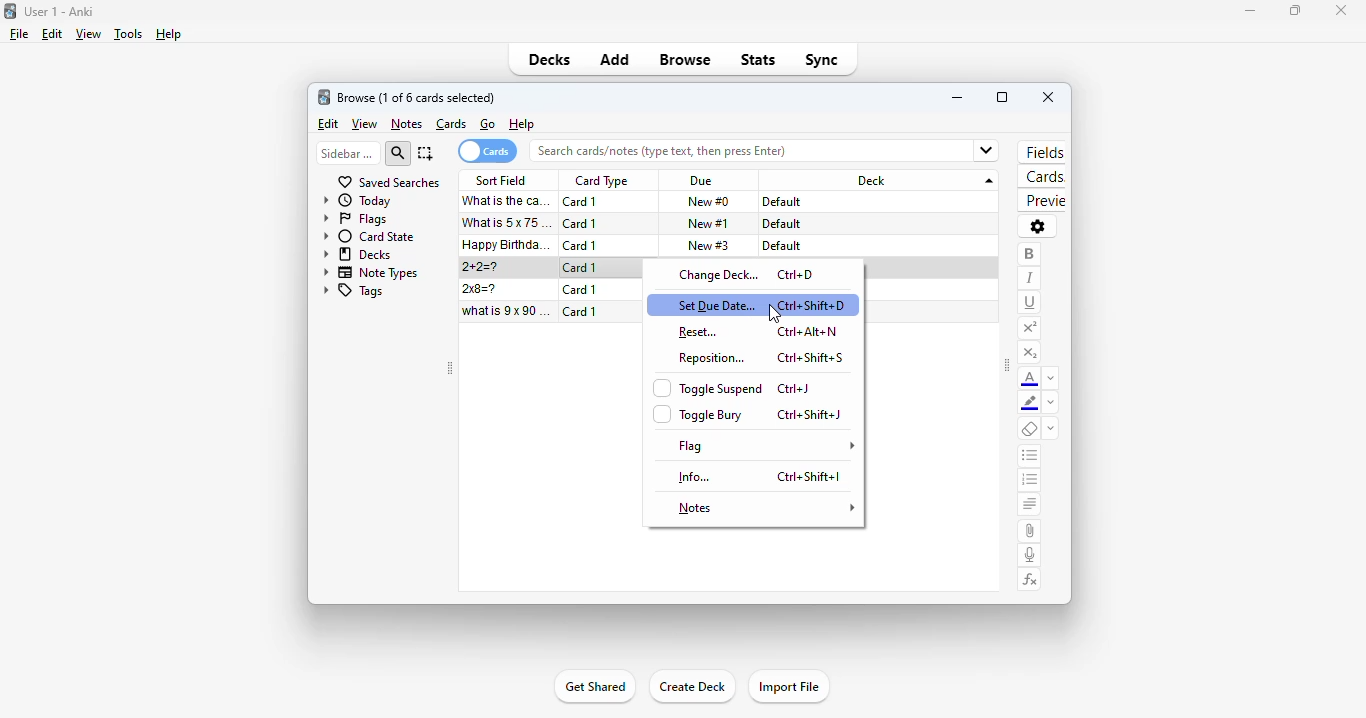  What do you see at coordinates (1030, 482) in the screenshot?
I see `ordered list` at bounding box center [1030, 482].